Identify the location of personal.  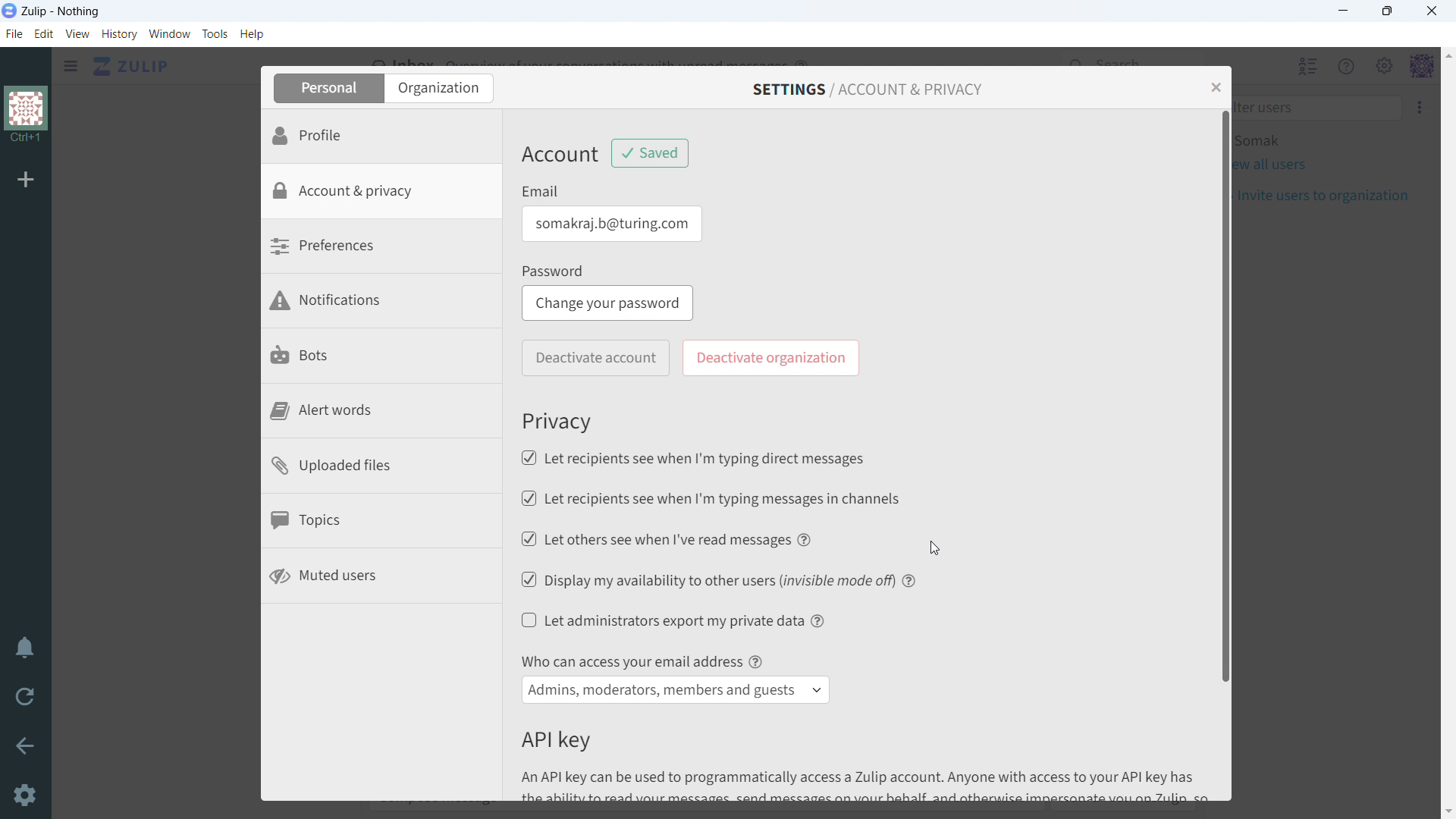
(329, 88).